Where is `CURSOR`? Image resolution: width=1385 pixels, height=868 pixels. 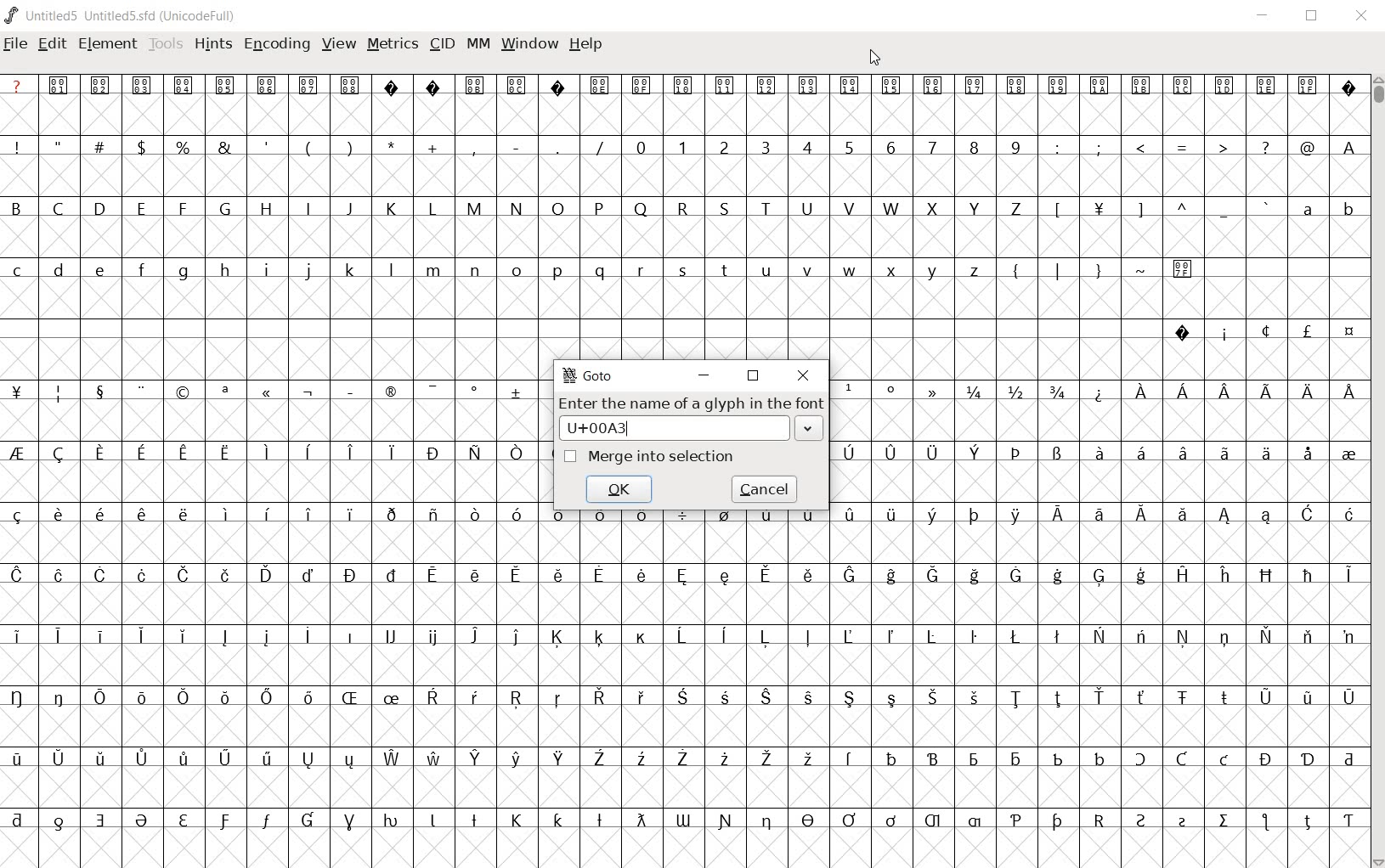 CURSOR is located at coordinates (874, 59).